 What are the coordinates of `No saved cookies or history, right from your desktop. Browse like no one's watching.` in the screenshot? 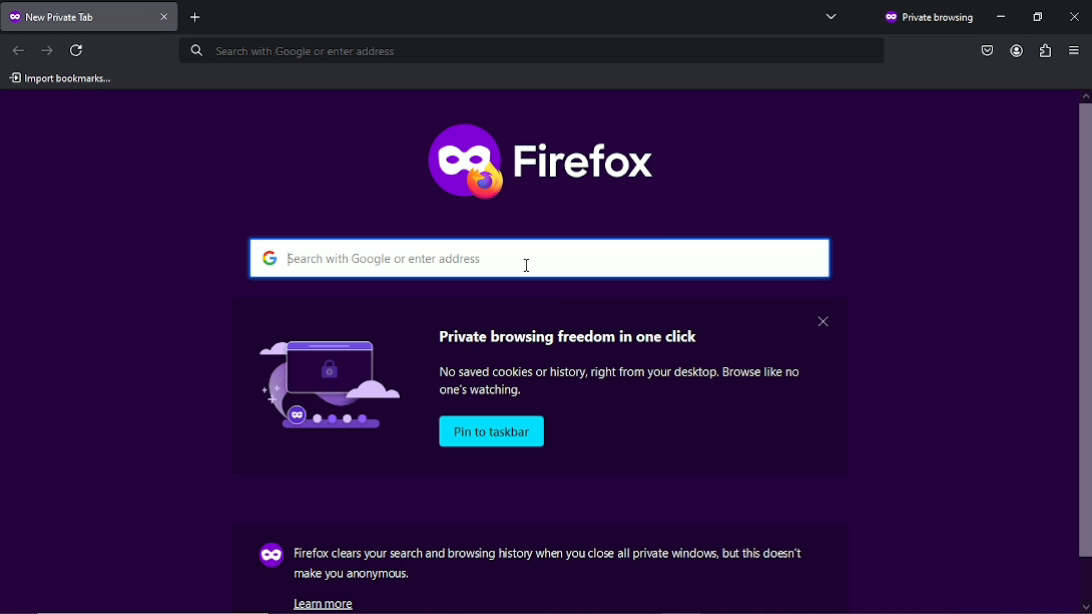 It's located at (628, 382).